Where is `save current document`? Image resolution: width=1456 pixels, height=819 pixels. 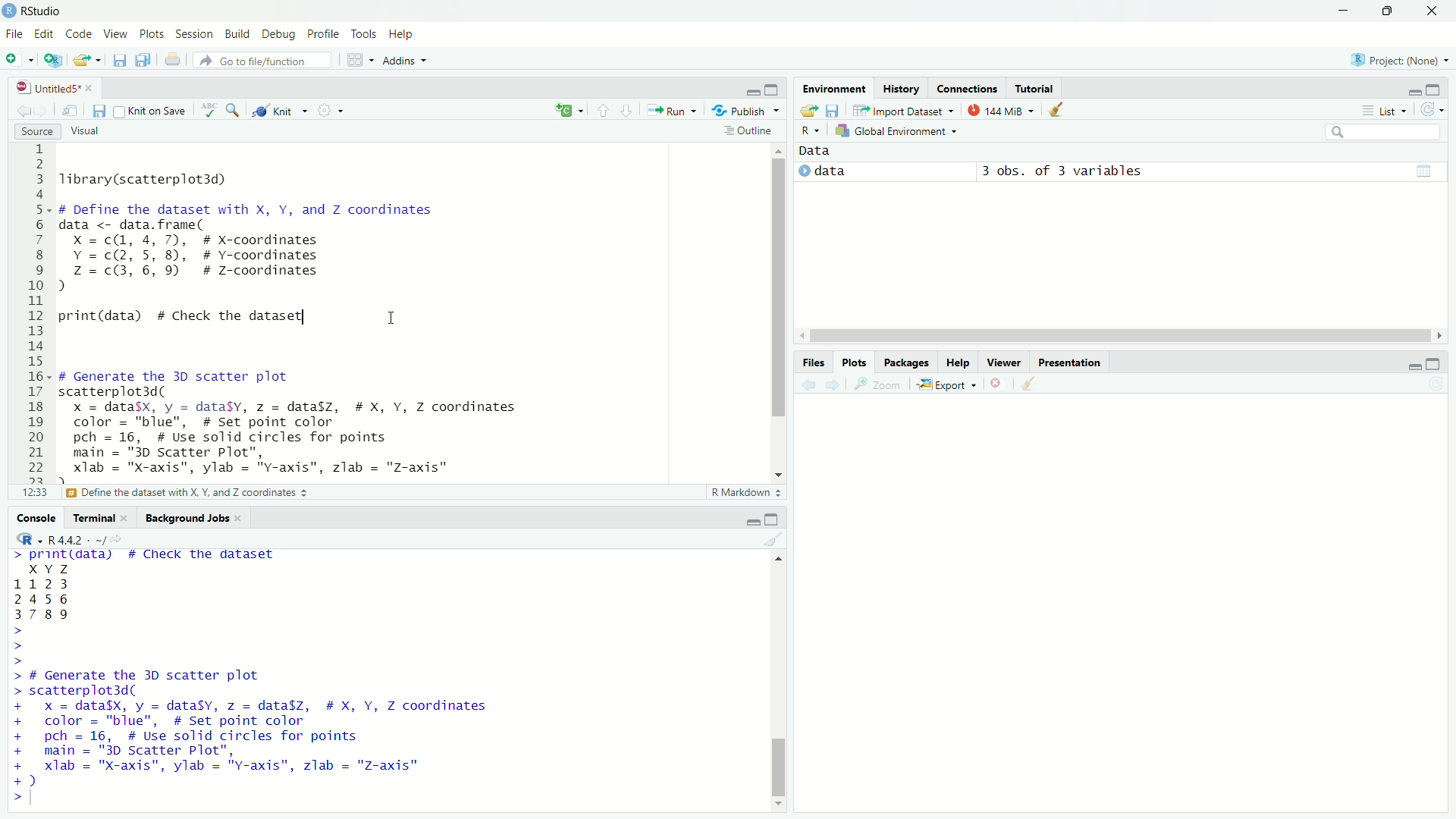 save current document is located at coordinates (97, 111).